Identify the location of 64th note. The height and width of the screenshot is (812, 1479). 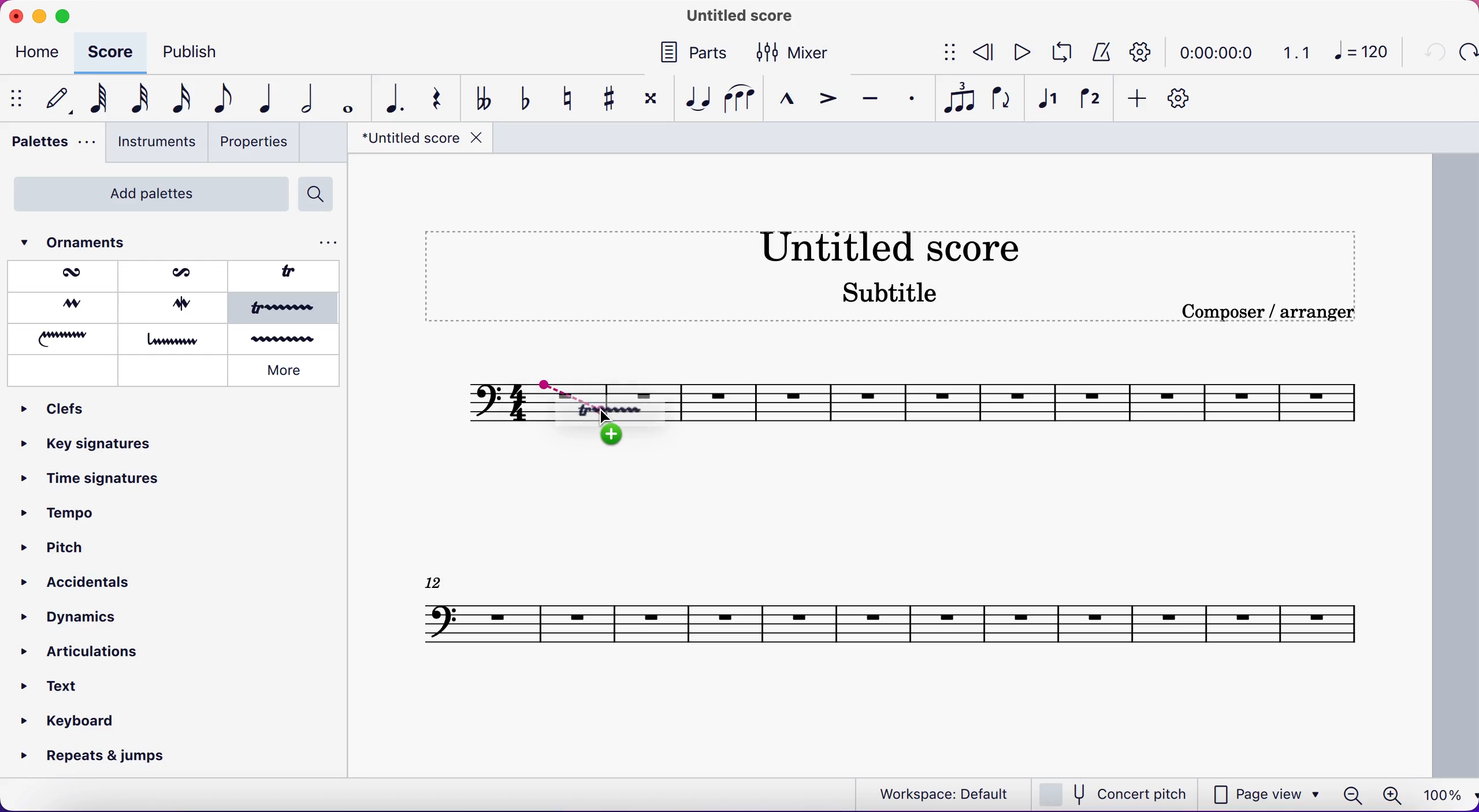
(94, 100).